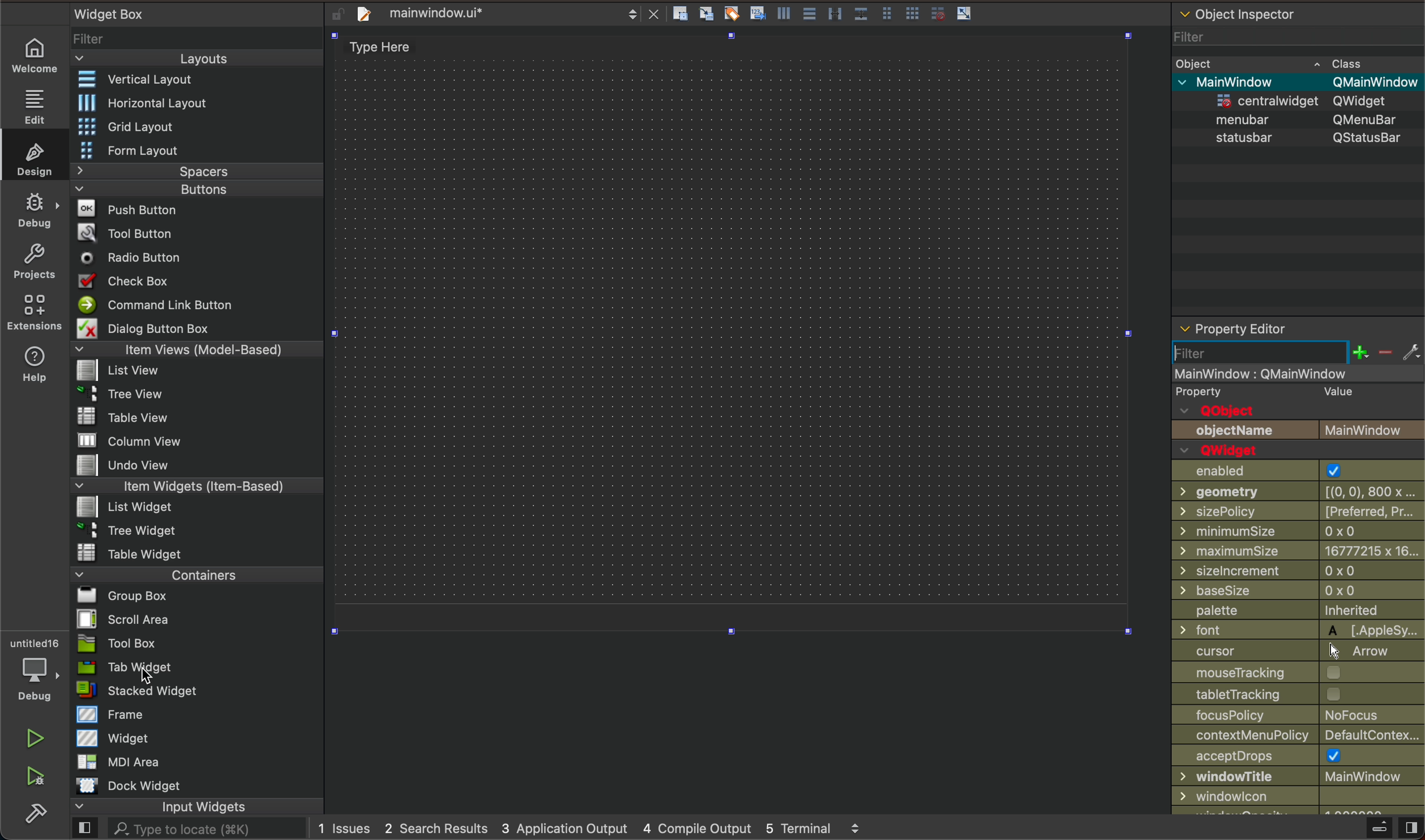  I want to click on Horizontal Layout, so click(134, 104).